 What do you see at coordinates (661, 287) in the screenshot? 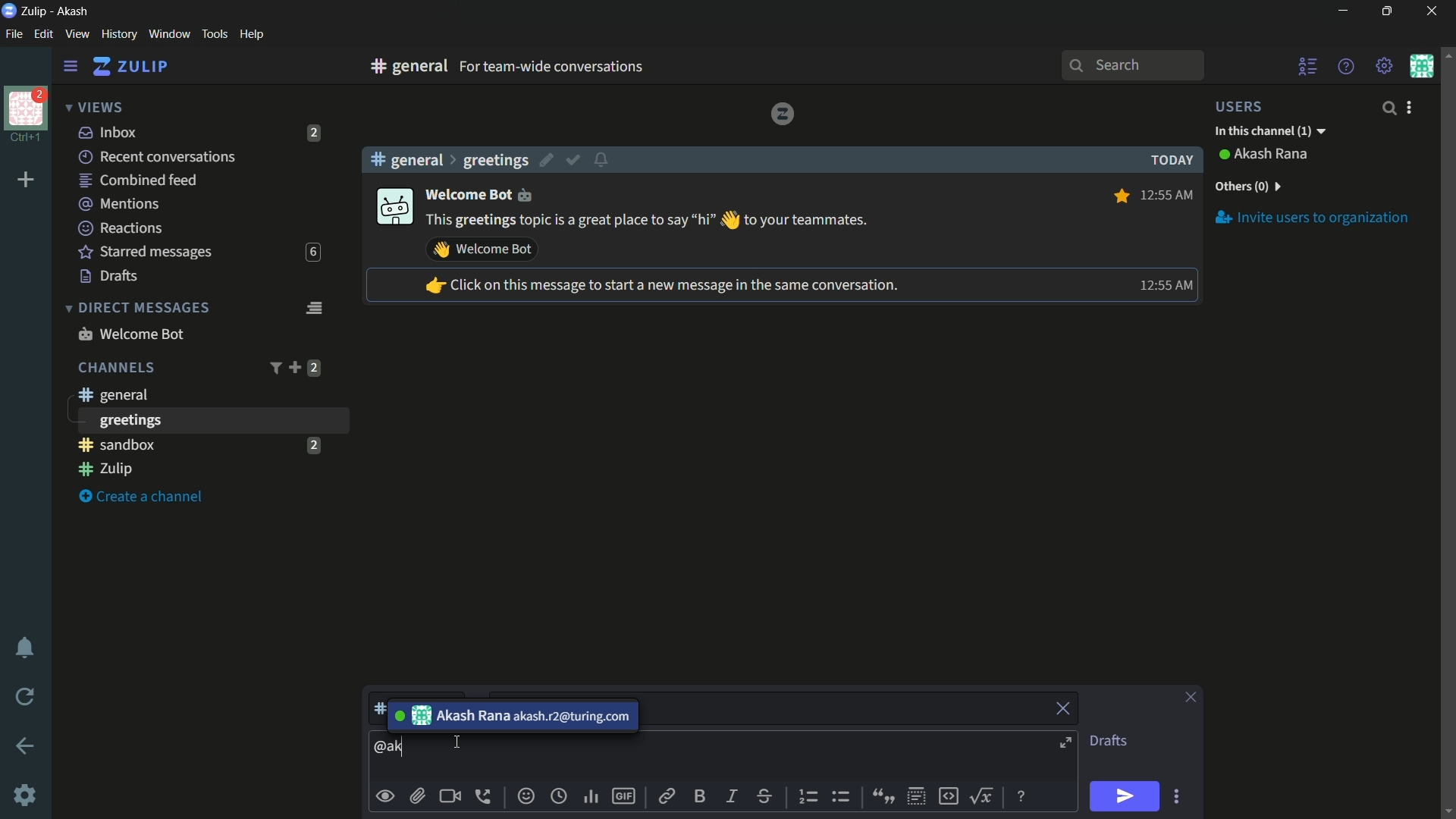
I see `Click on this message to start a new message in the same conversation` at bounding box center [661, 287].